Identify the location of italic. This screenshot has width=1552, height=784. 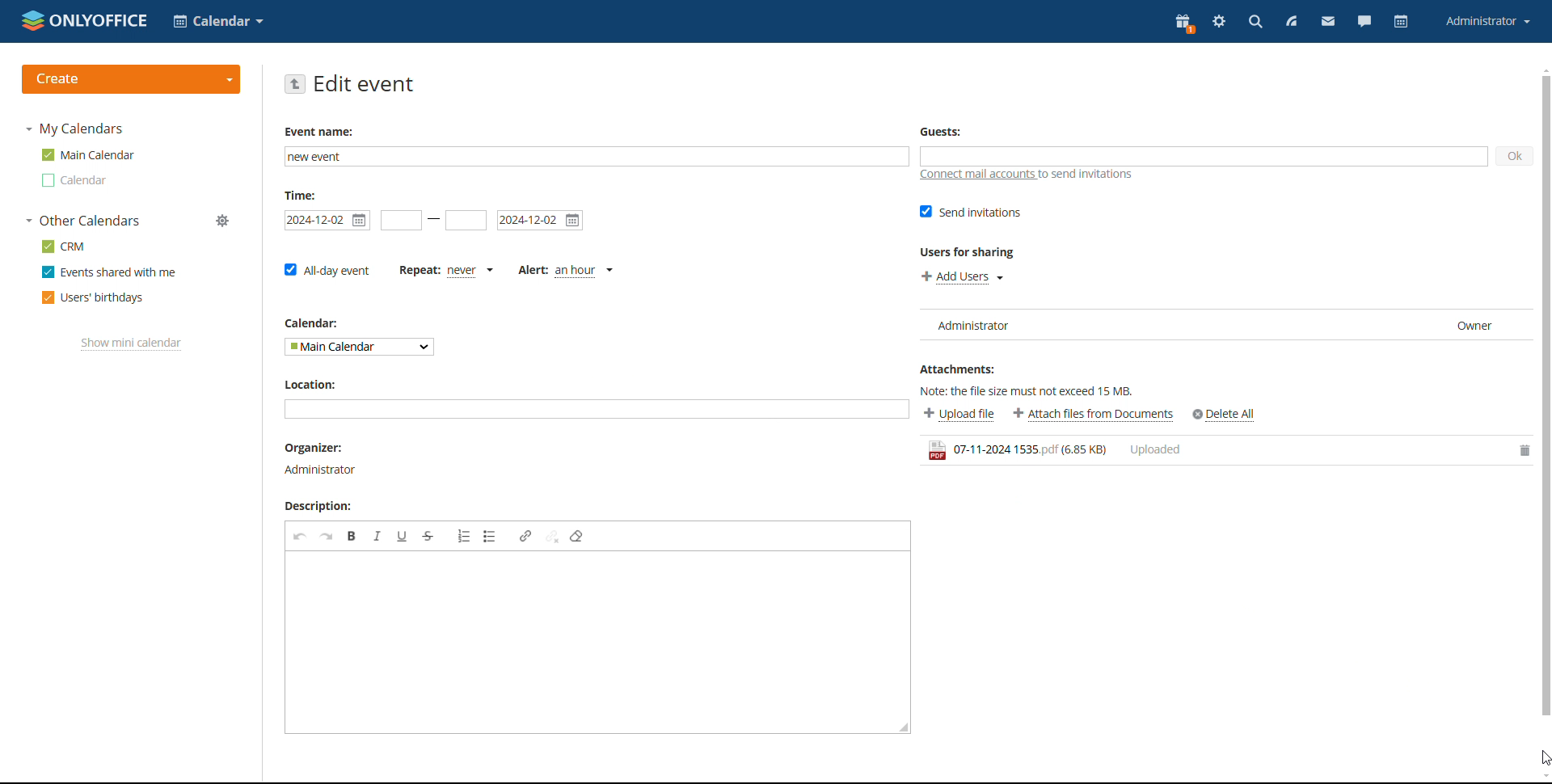
(377, 536).